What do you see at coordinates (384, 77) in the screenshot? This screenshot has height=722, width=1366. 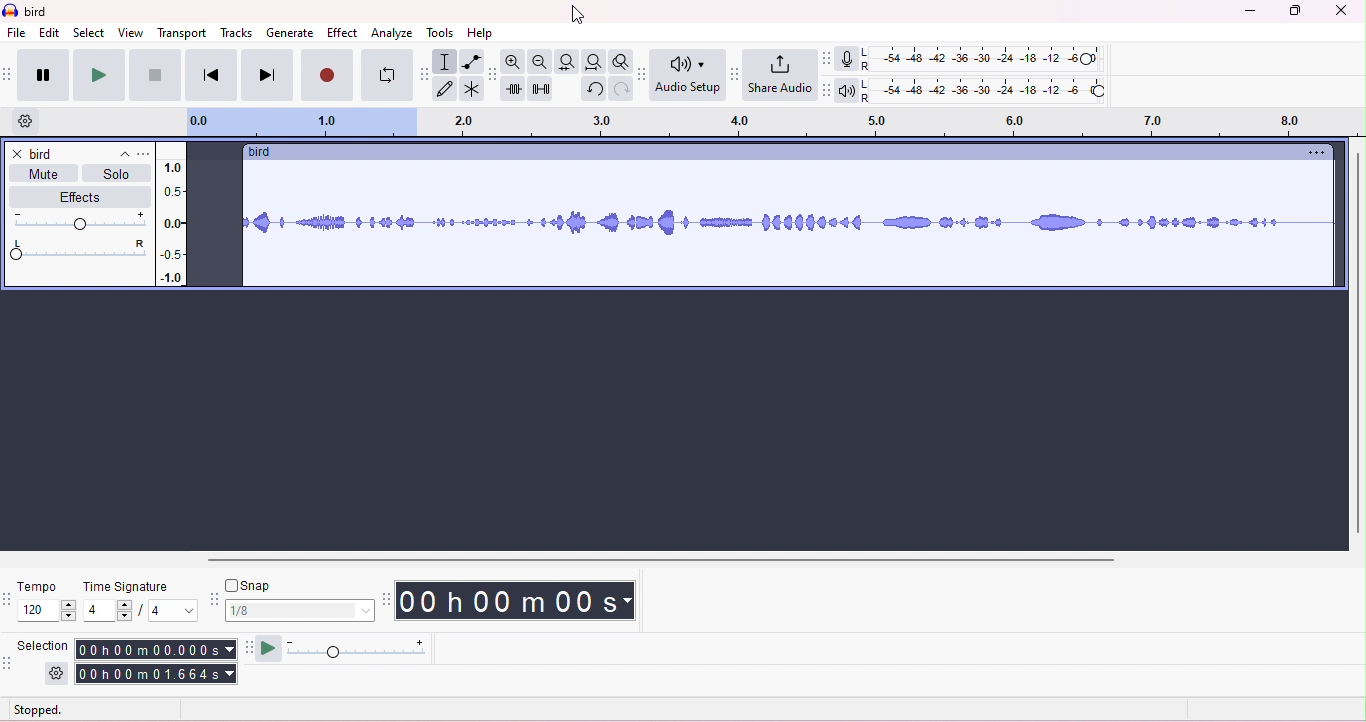 I see `loop` at bounding box center [384, 77].